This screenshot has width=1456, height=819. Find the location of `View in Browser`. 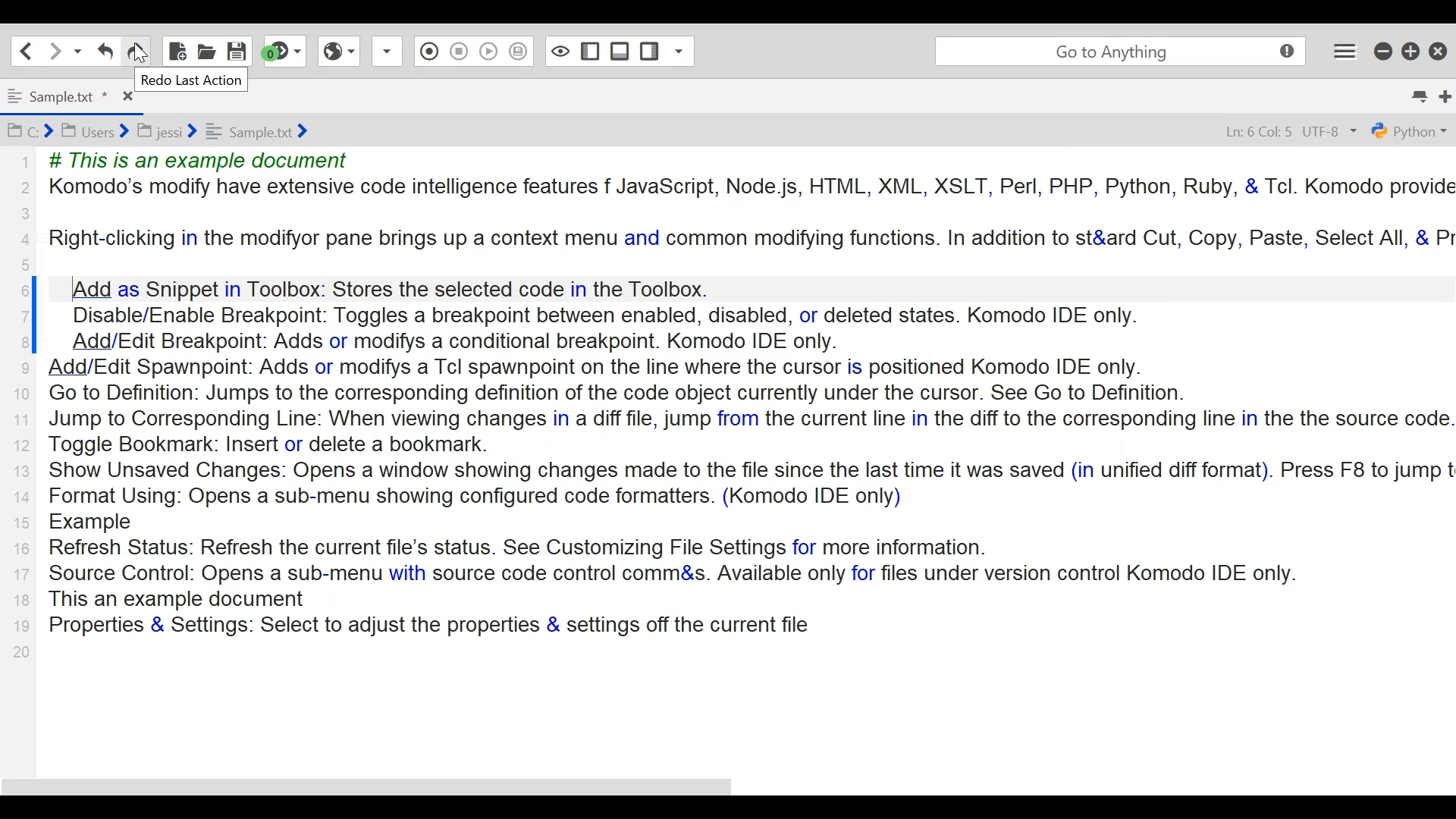

View in Browser is located at coordinates (337, 51).